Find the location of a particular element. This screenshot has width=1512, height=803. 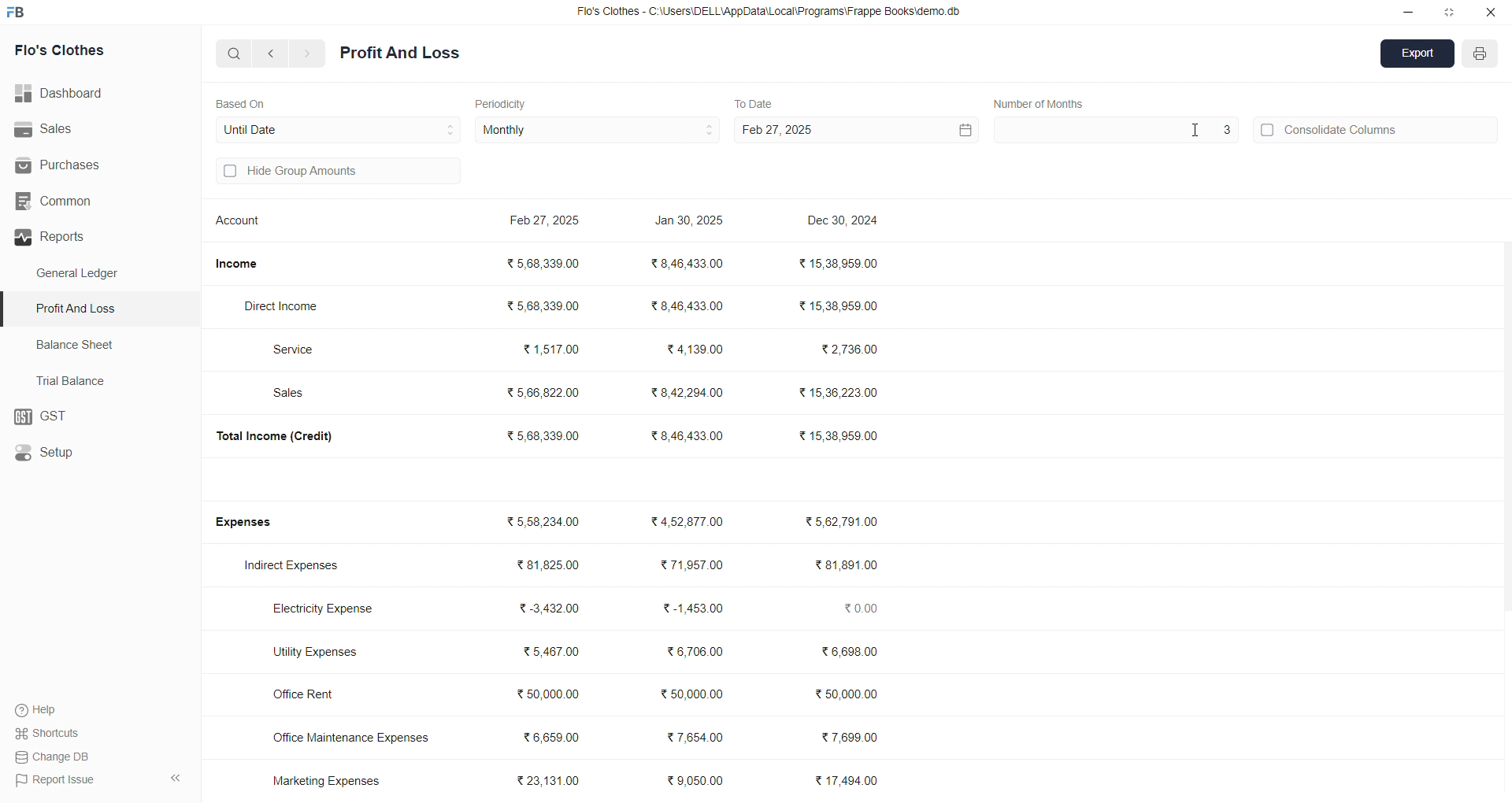

₹0.00 is located at coordinates (865, 608).